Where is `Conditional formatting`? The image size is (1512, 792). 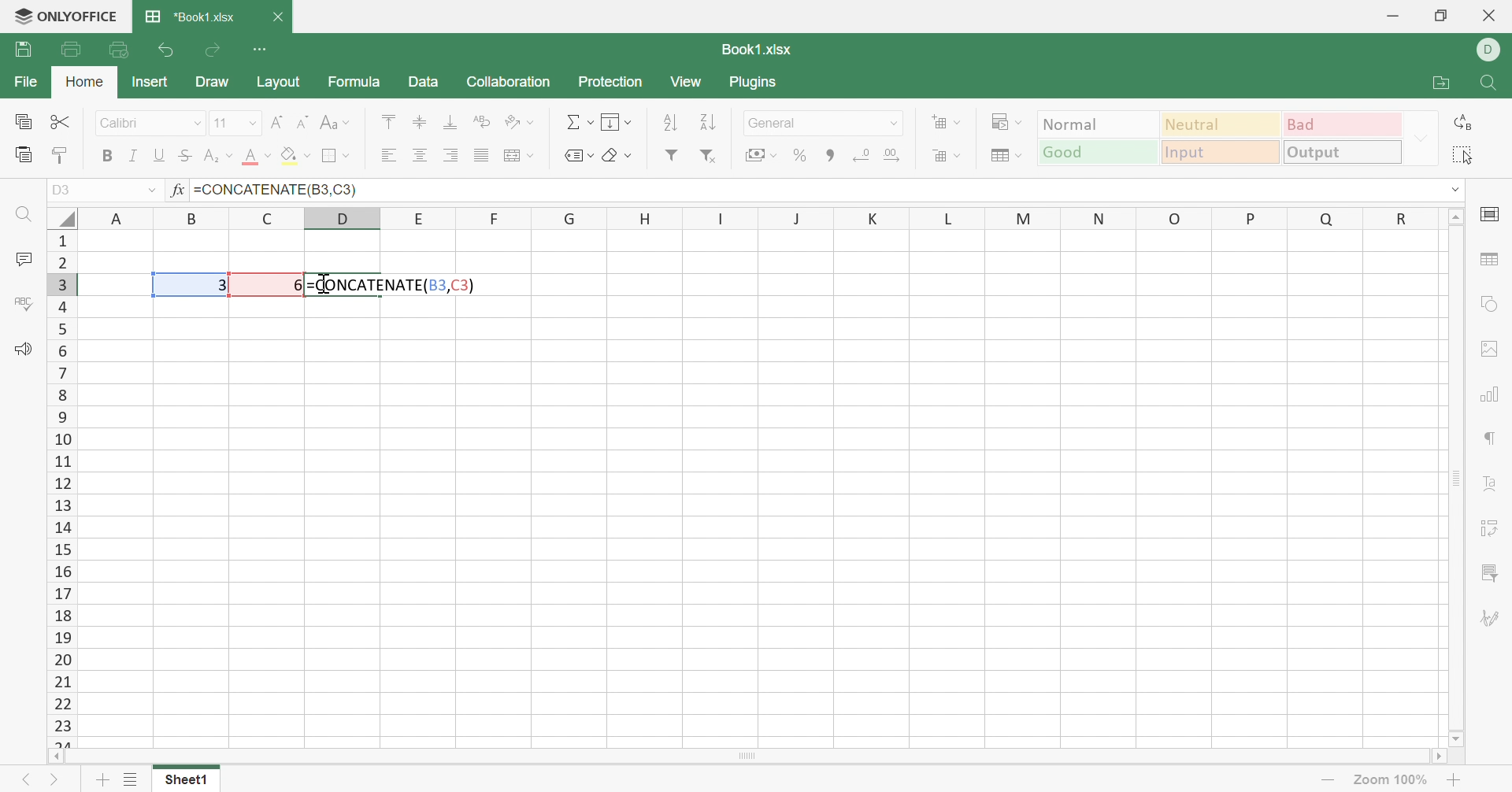
Conditional formatting is located at coordinates (1007, 123).